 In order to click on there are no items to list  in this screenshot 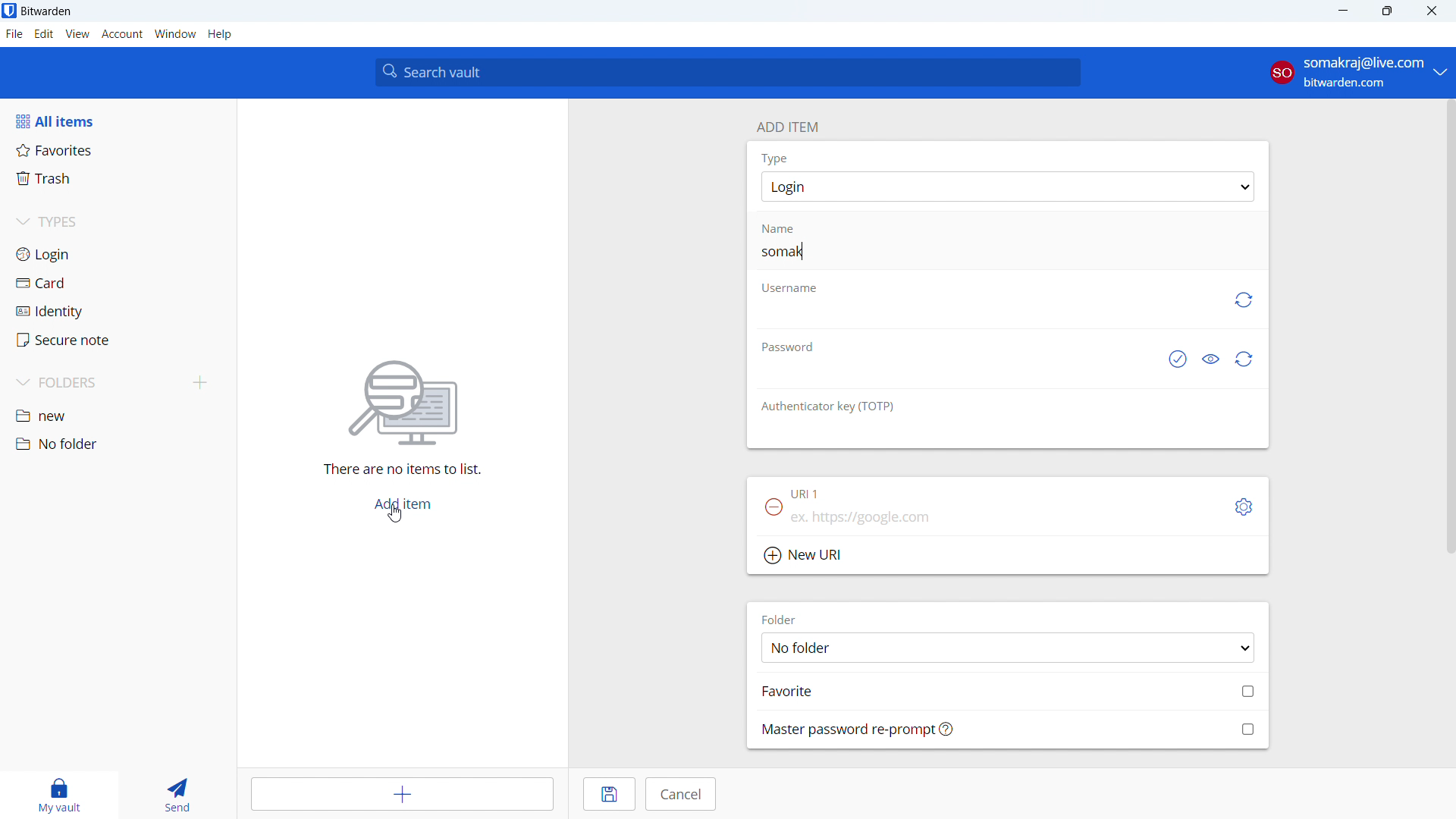, I will do `click(397, 471)`.